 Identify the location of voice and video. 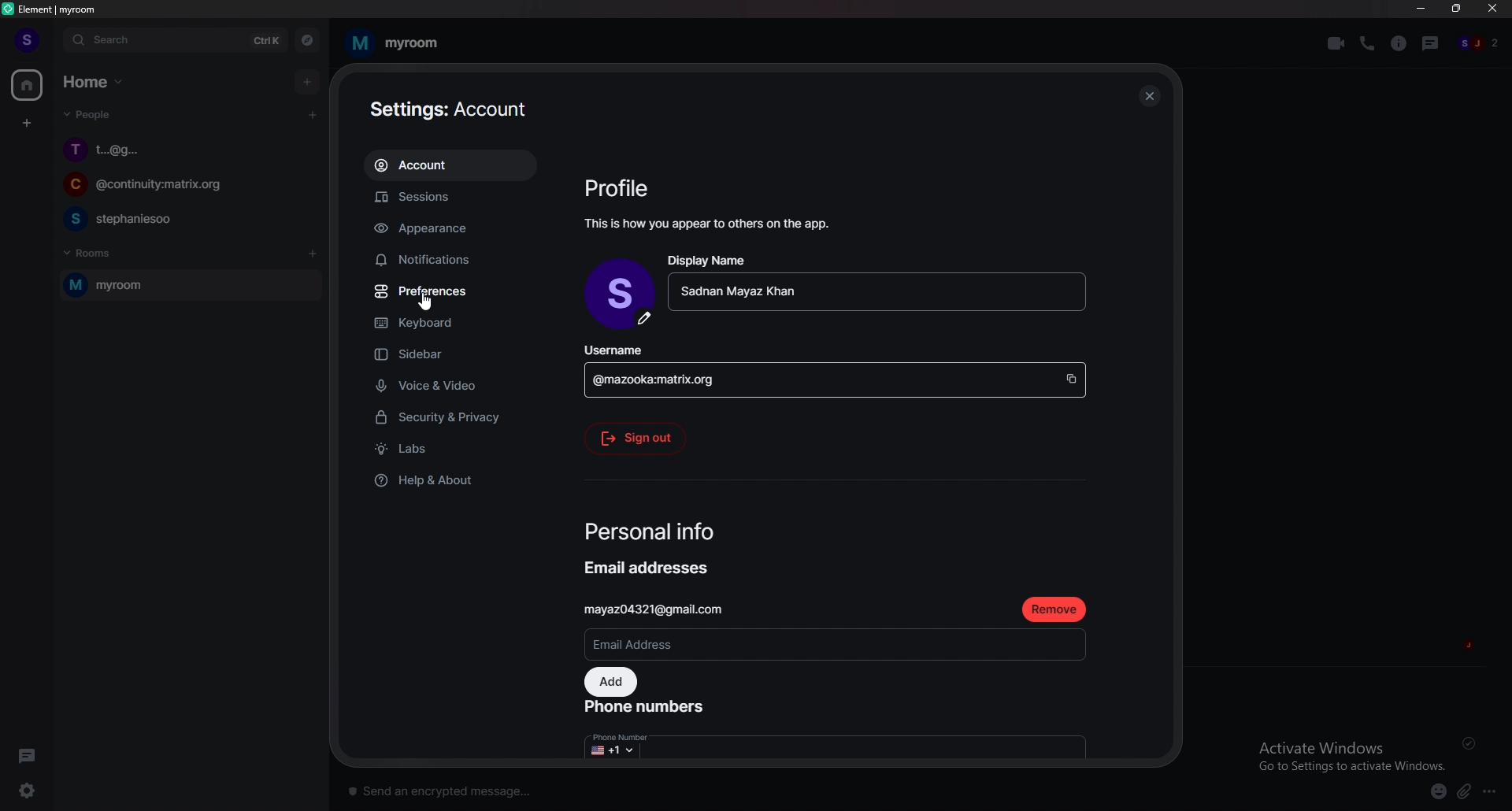
(454, 385).